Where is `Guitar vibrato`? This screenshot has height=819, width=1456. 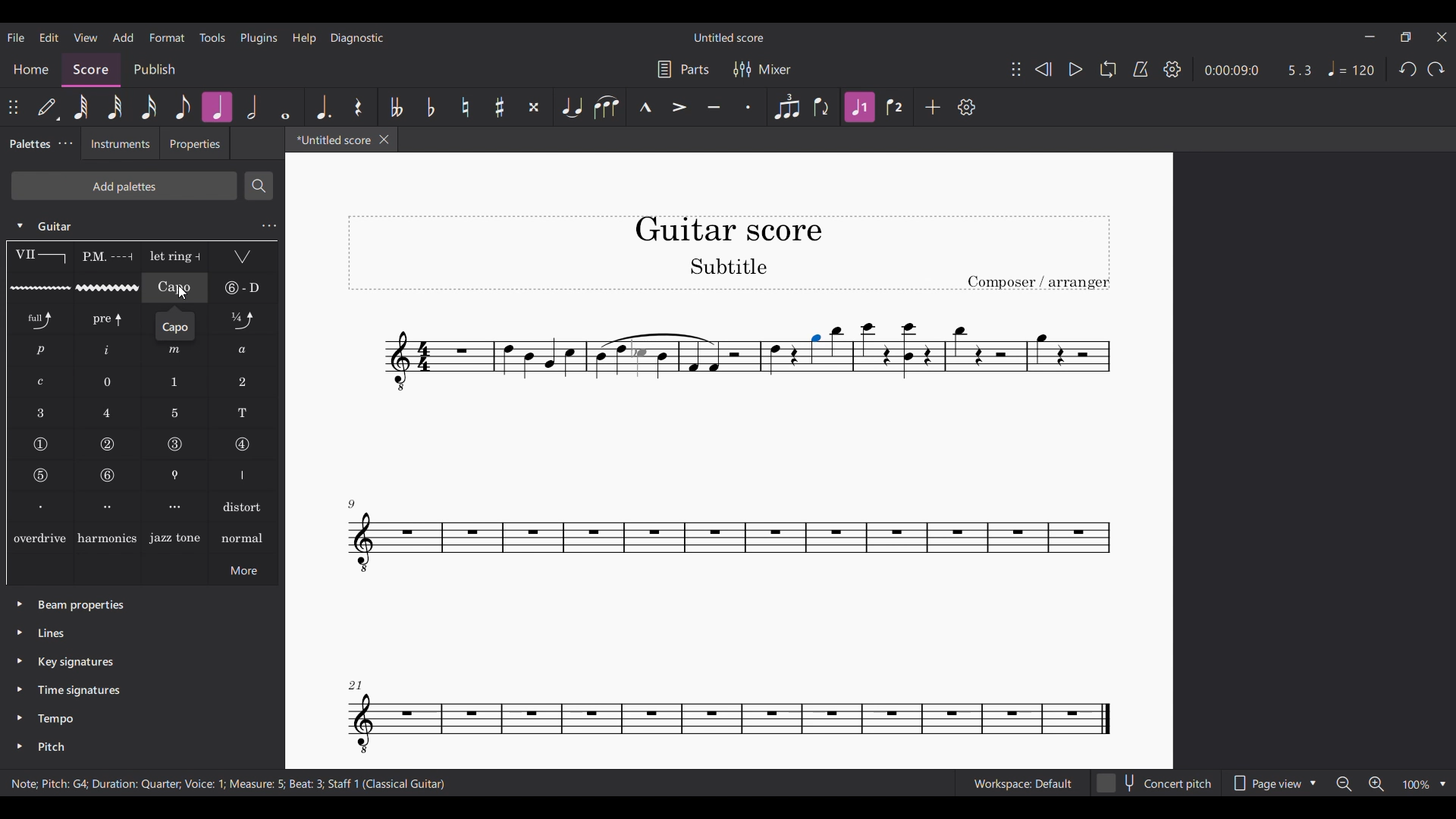 Guitar vibrato is located at coordinates (40, 288).